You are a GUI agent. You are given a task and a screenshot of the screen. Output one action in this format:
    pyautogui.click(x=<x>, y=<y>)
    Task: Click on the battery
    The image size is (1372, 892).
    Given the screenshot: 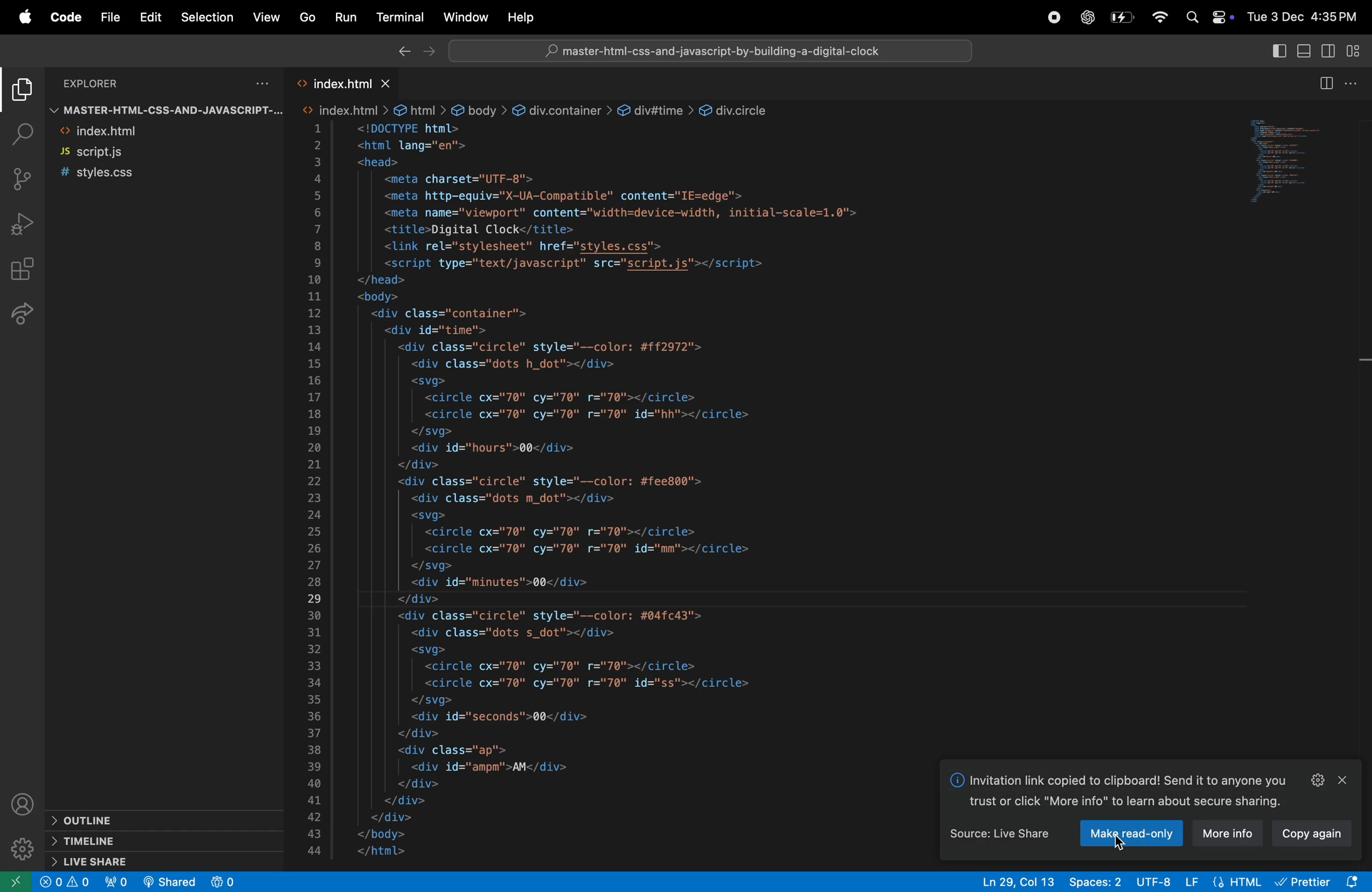 What is the action you would take?
    pyautogui.click(x=1120, y=17)
    